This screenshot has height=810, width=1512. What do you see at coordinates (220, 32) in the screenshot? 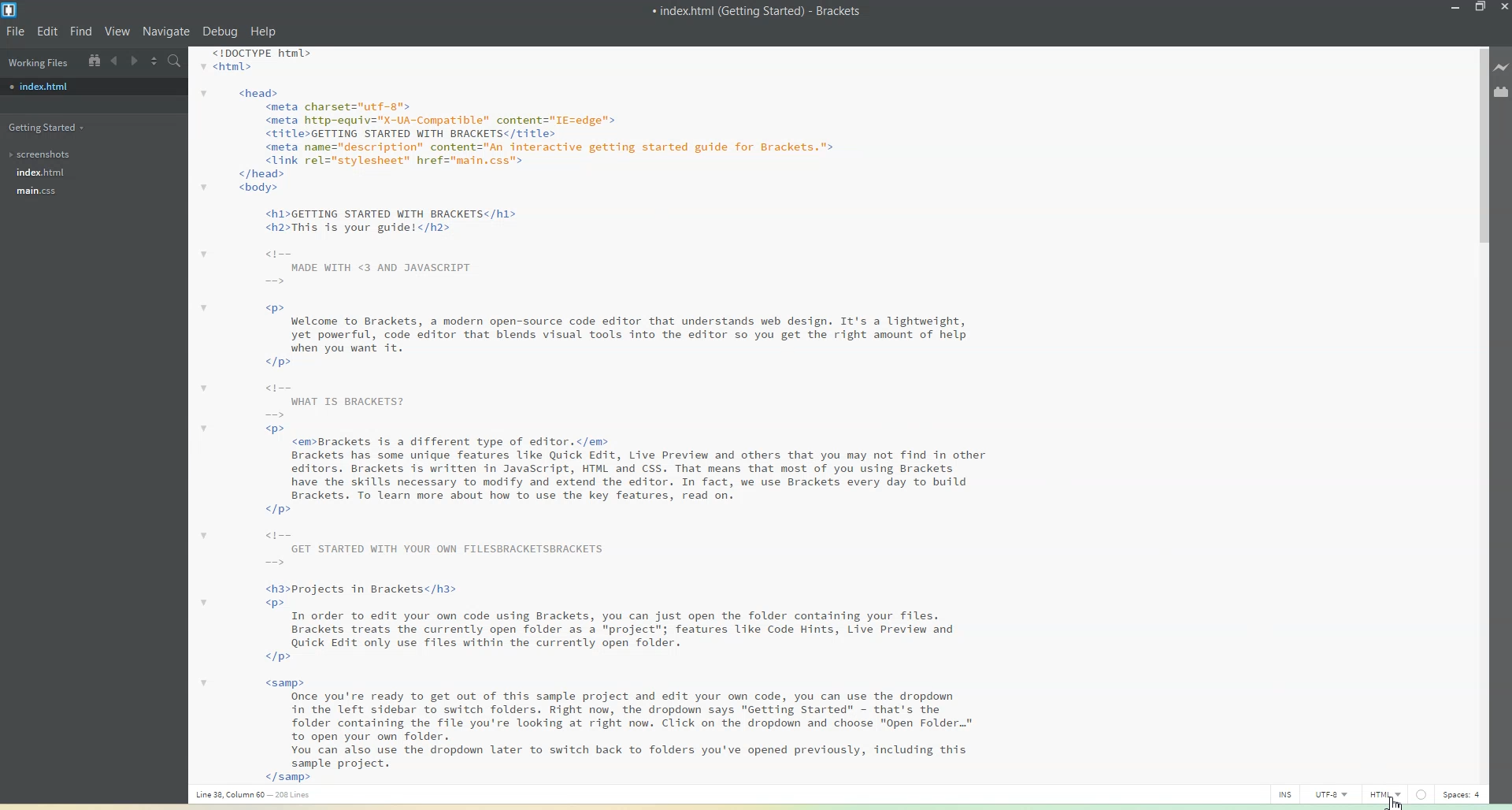
I see `Debug` at bounding box center [220, 32].